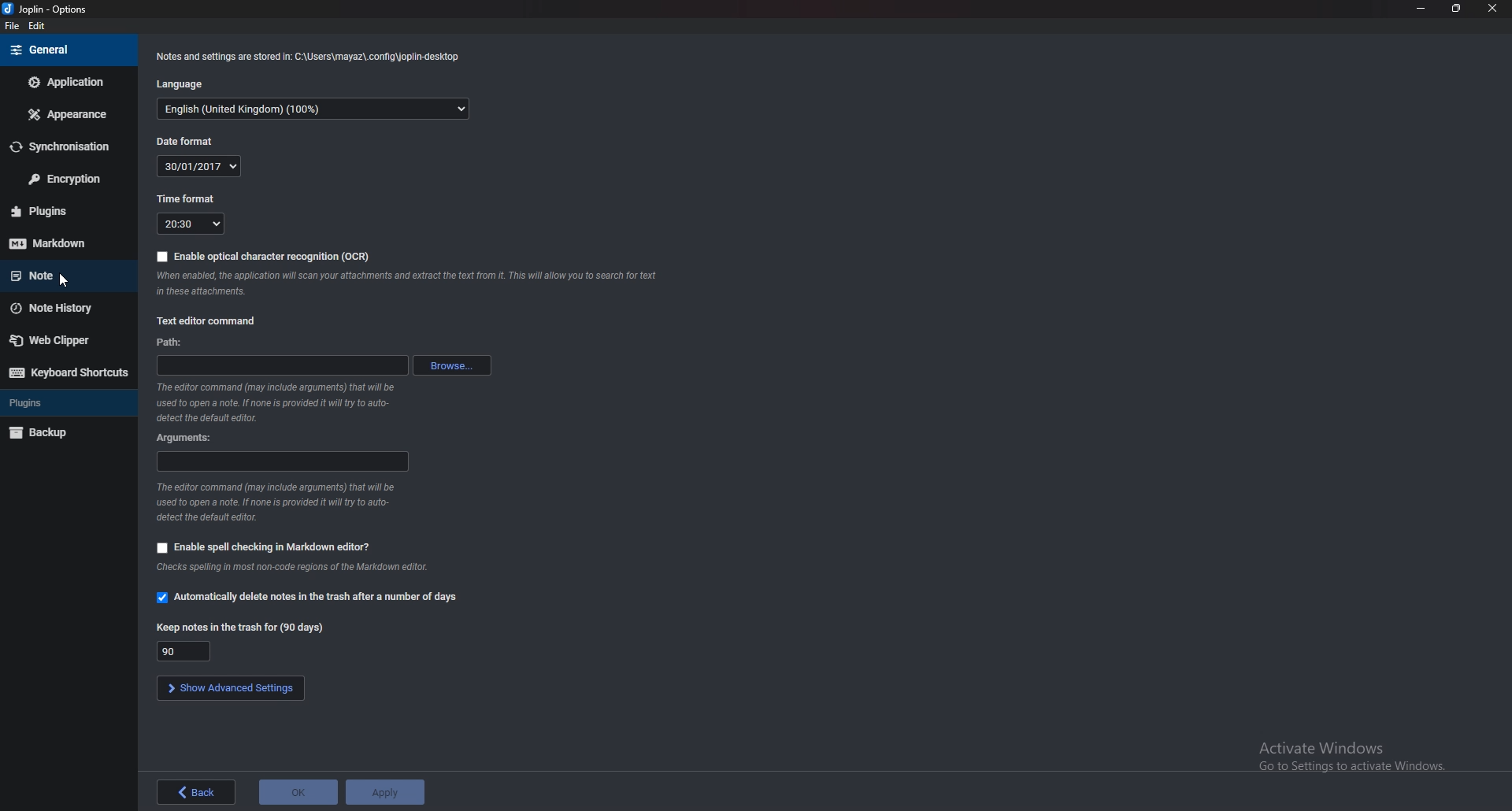 The width and height of the screenshot is (1512, 811). Describe the element at coordinates (61, 211) in the screenshot. I see `Plugins` at that location.